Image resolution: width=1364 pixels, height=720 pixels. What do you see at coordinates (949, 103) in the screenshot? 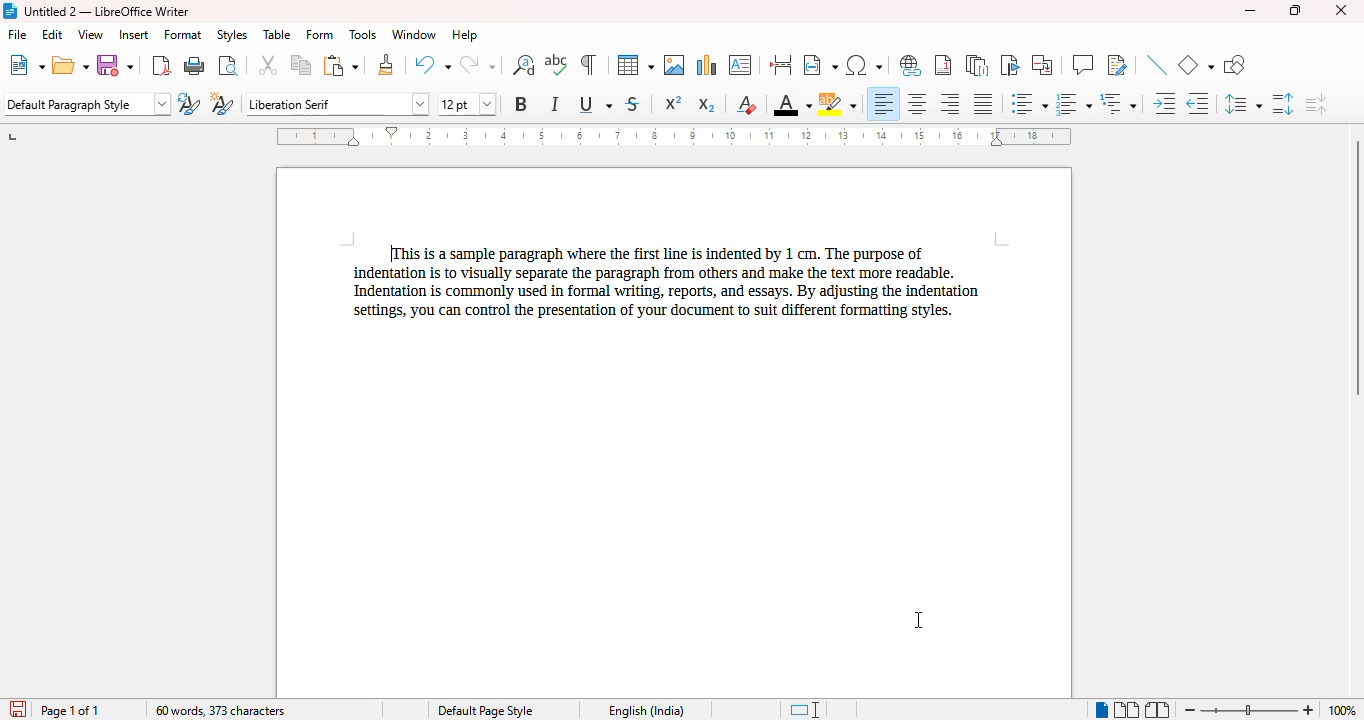
I see `align right` at bounding box center [949, 103].